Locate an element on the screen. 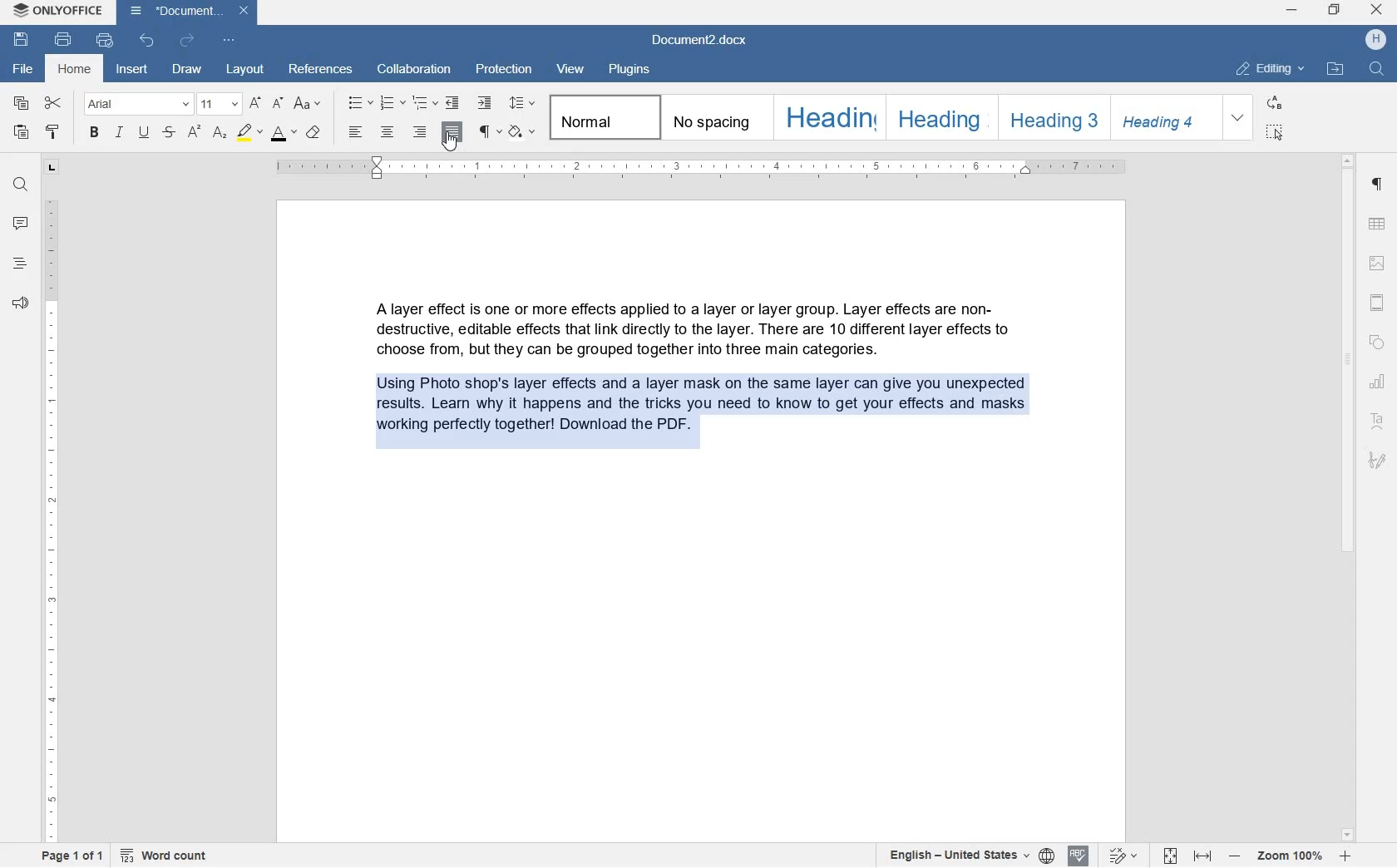 The width and height of the screenshot is (1397, 868). FONT SIZE is located at coordinates (218, 103).